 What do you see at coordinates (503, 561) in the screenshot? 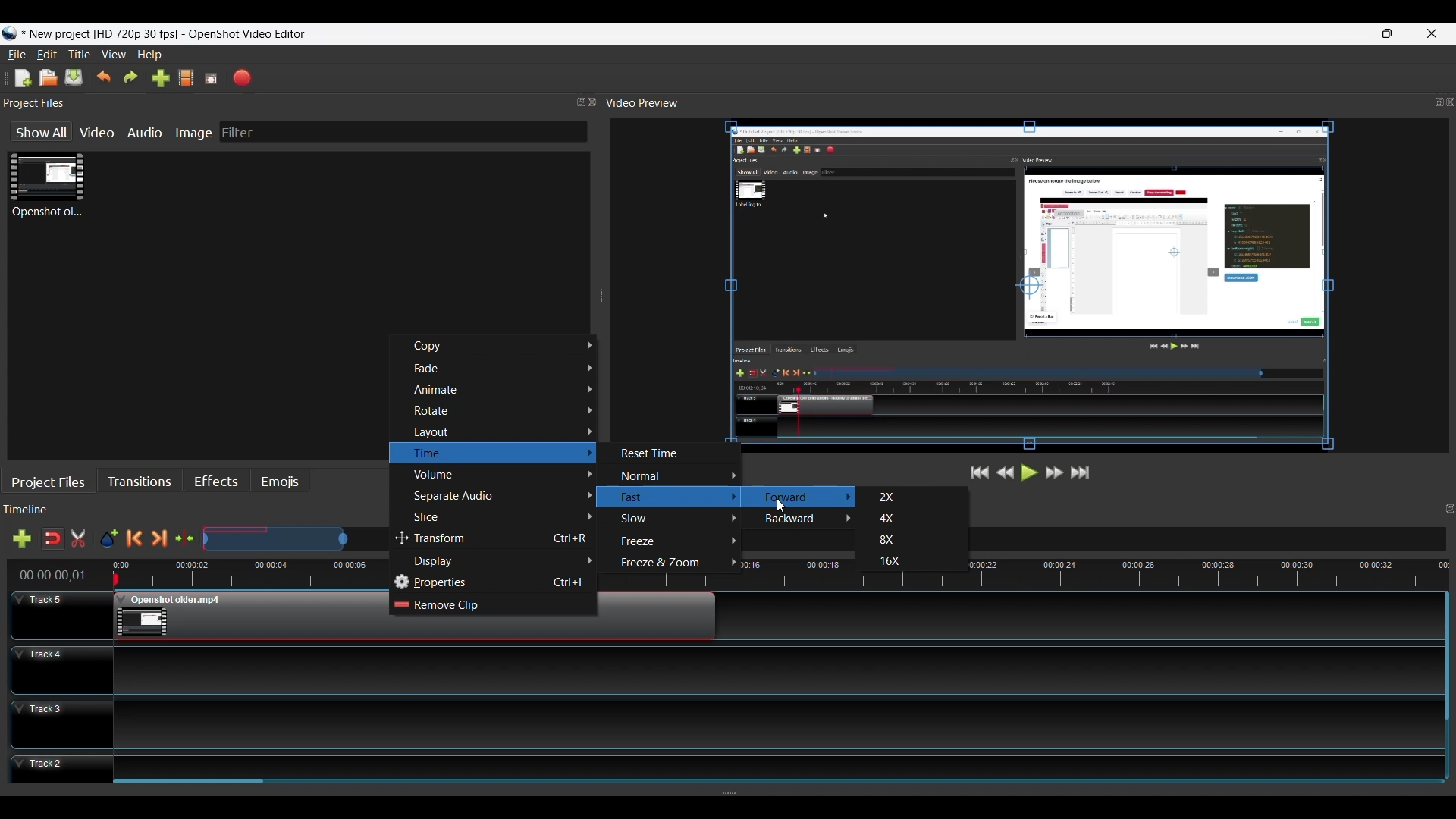
I see `Display` at bounding box center [503, 561].